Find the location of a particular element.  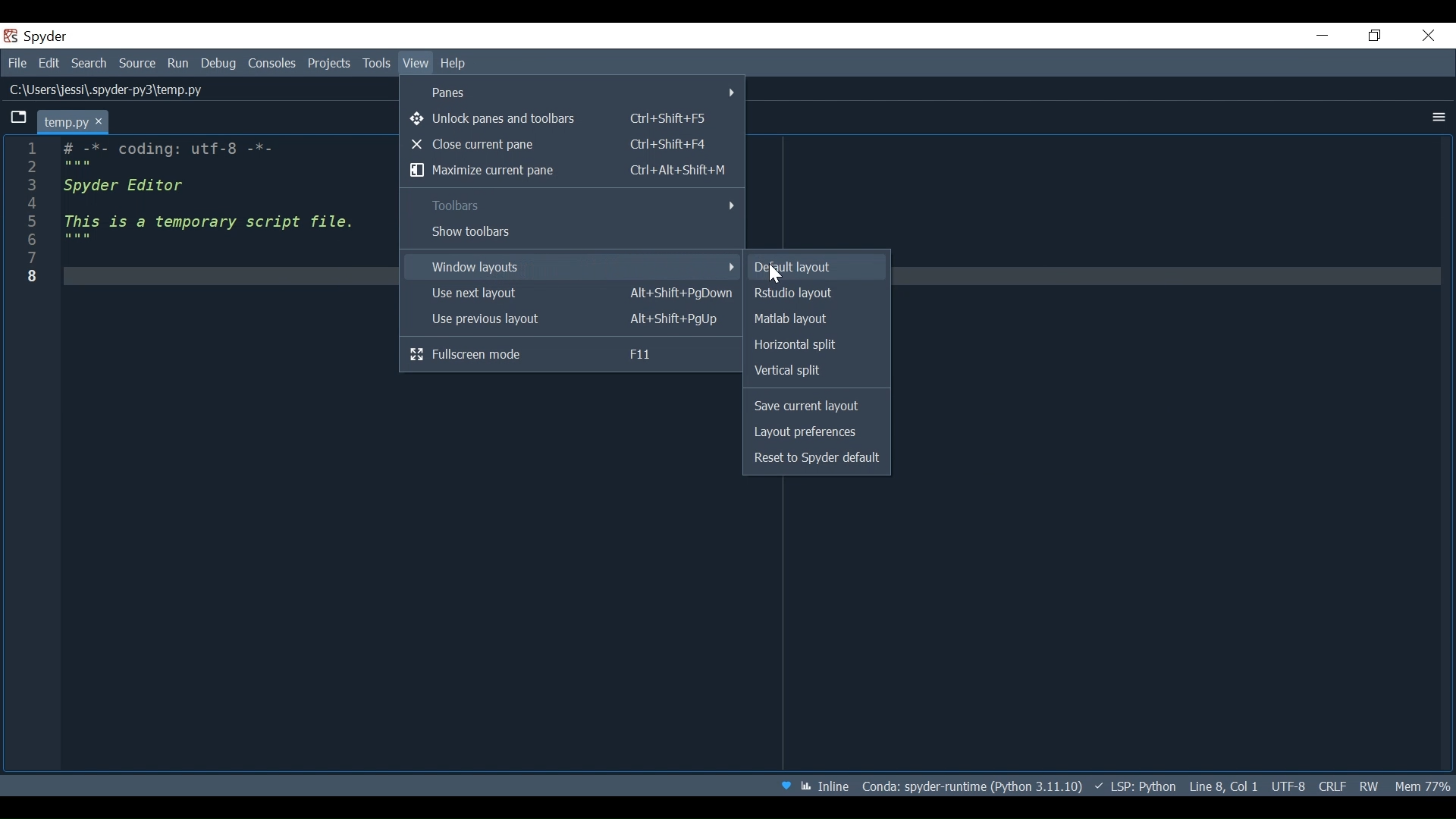

Matlab layout is located at coordinates (817, 318).